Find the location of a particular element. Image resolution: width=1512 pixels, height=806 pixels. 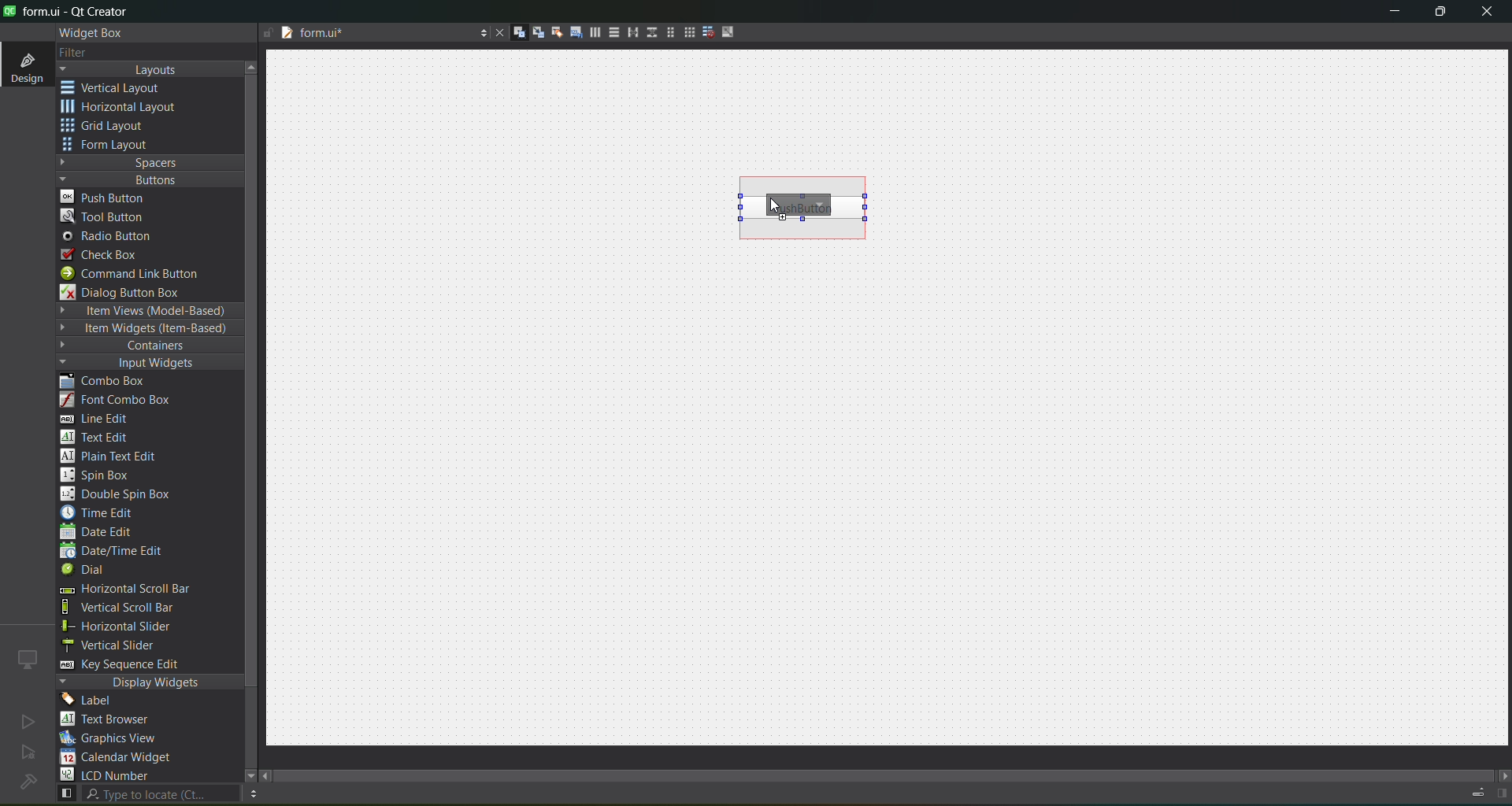

grid is located at coordinates (113, 128).